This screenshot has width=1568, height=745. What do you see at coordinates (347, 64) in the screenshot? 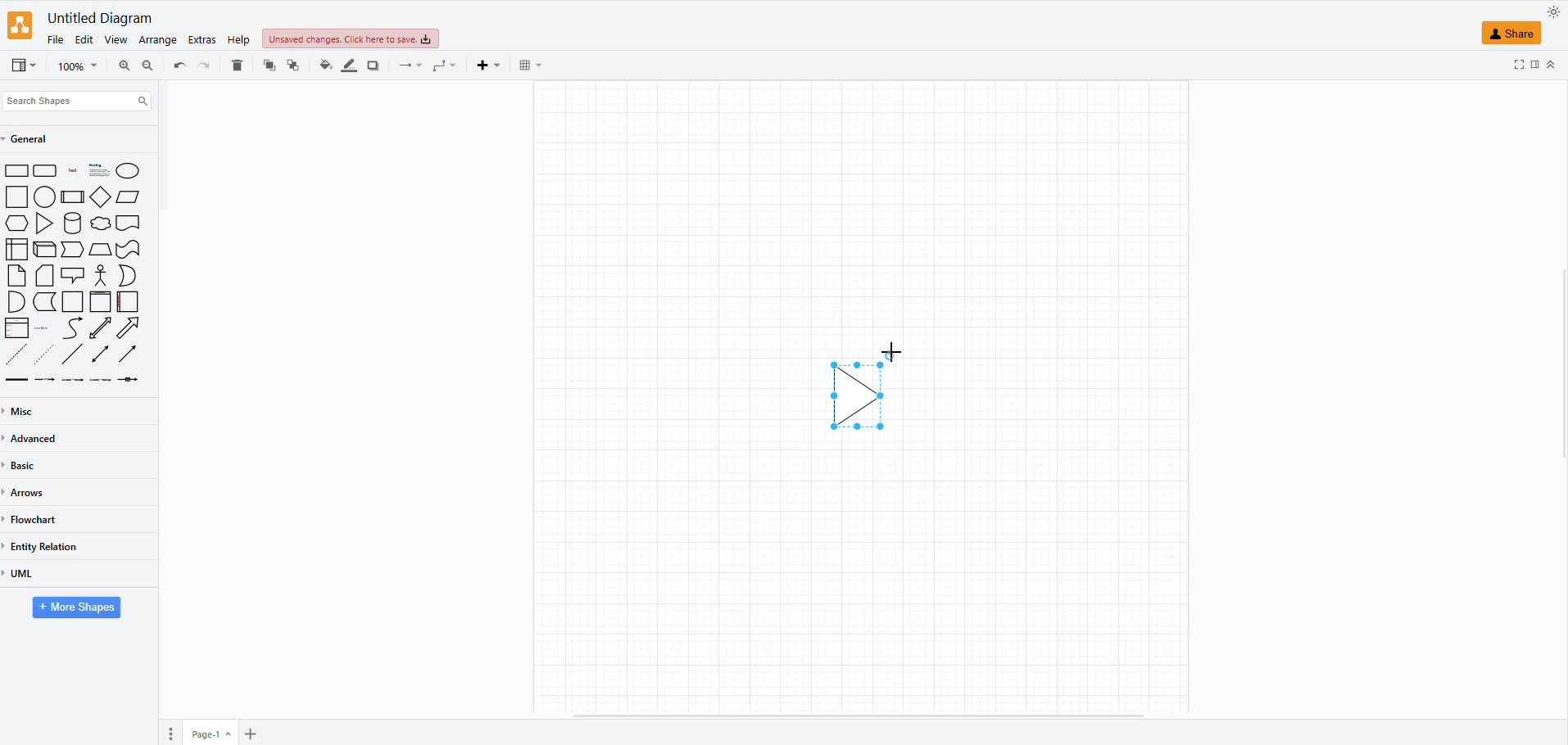
I see `line color` at bounding box center [347, 64].